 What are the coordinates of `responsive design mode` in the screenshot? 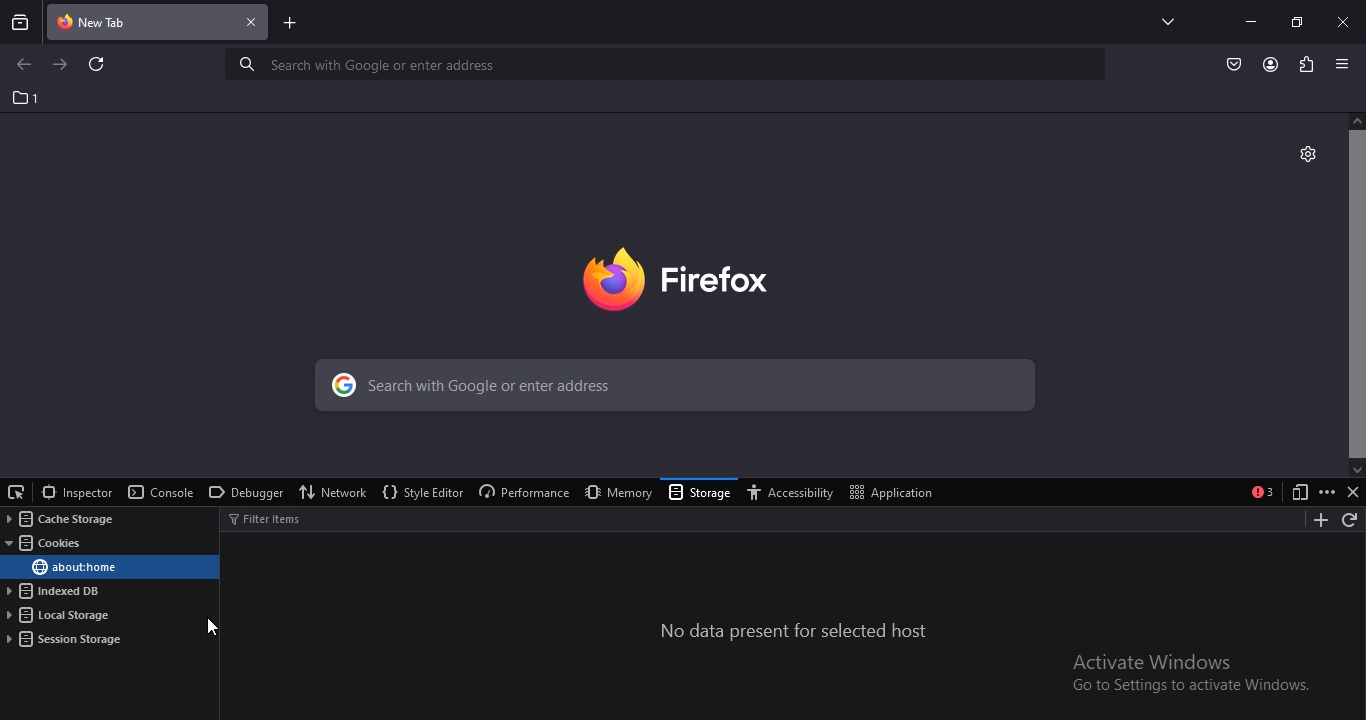 It's located at (1296, 493).